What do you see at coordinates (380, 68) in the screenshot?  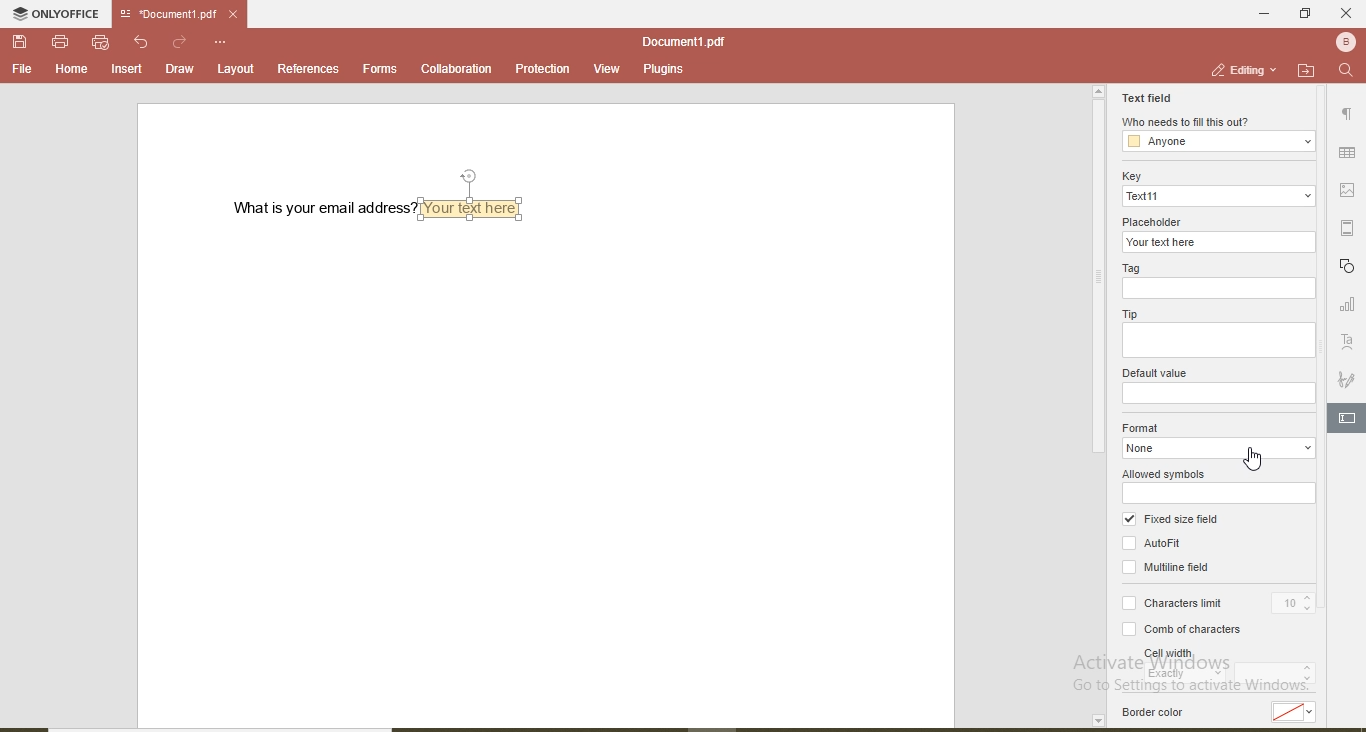 I see `forms` at bounding box center [380, 68].